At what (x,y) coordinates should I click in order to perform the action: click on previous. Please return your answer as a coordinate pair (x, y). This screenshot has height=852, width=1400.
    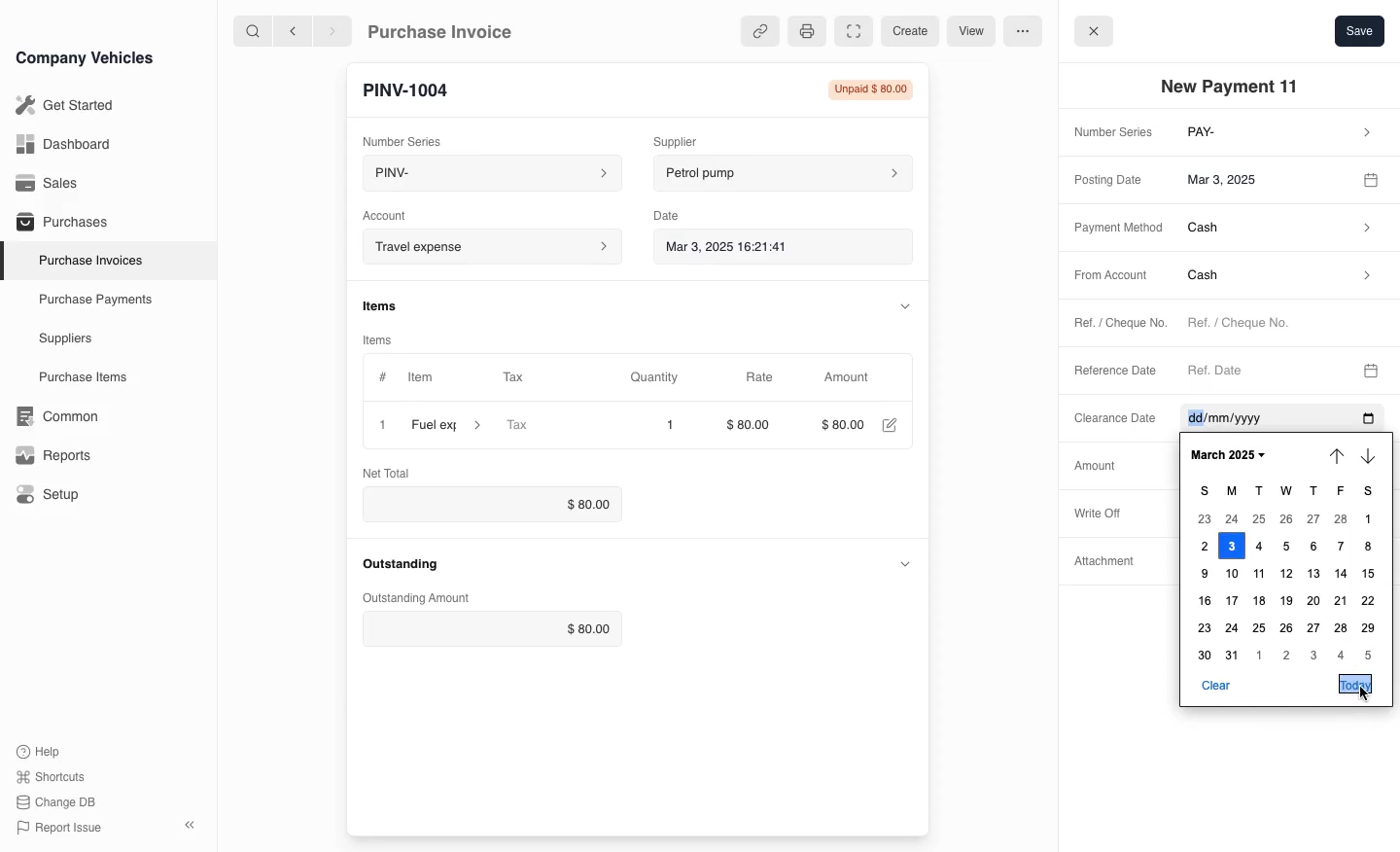
    Looking at the image, I should click on (291, 30).